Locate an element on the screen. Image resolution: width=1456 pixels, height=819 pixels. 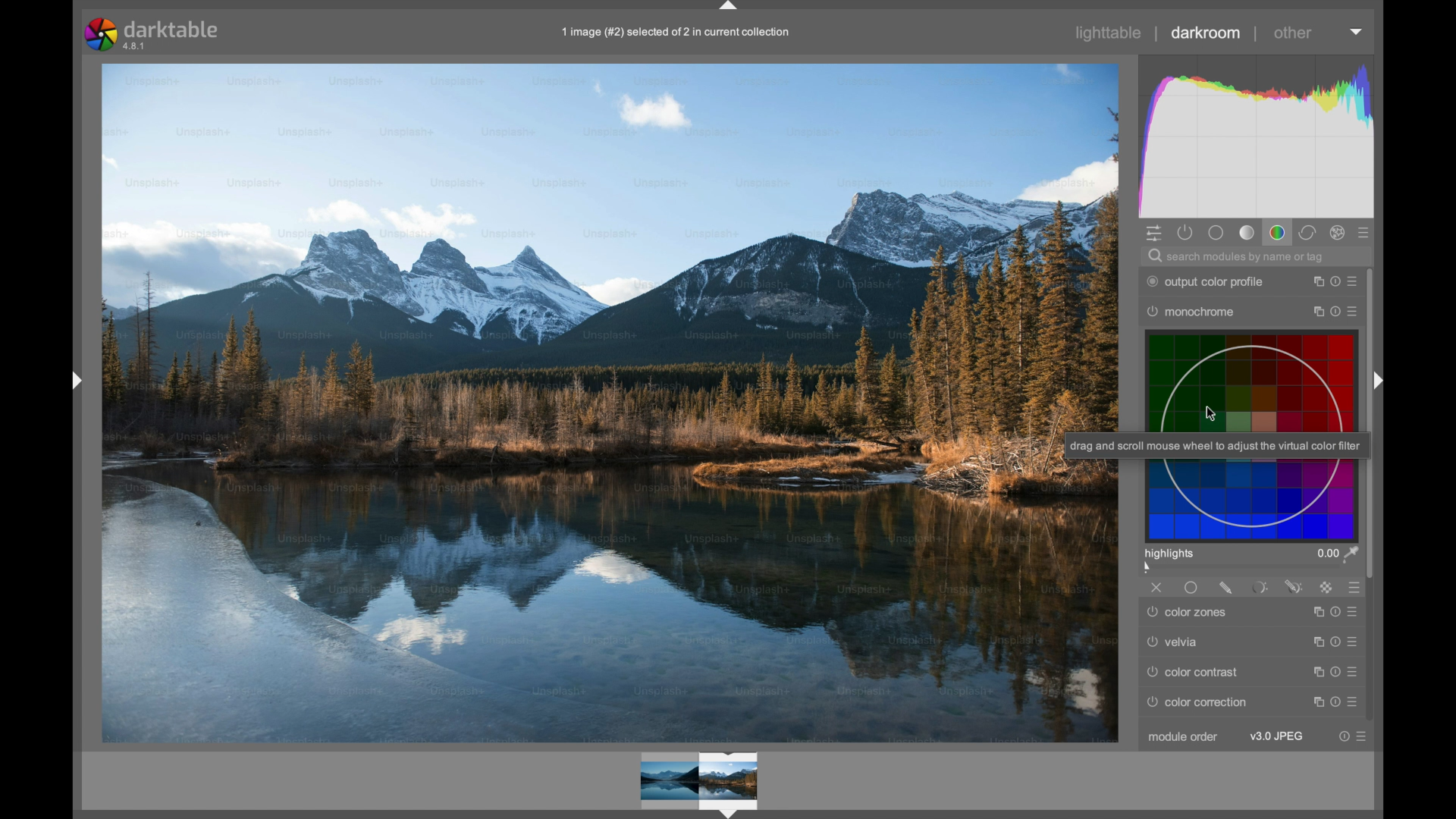
raster mask is located at coordinates (1326, 587).